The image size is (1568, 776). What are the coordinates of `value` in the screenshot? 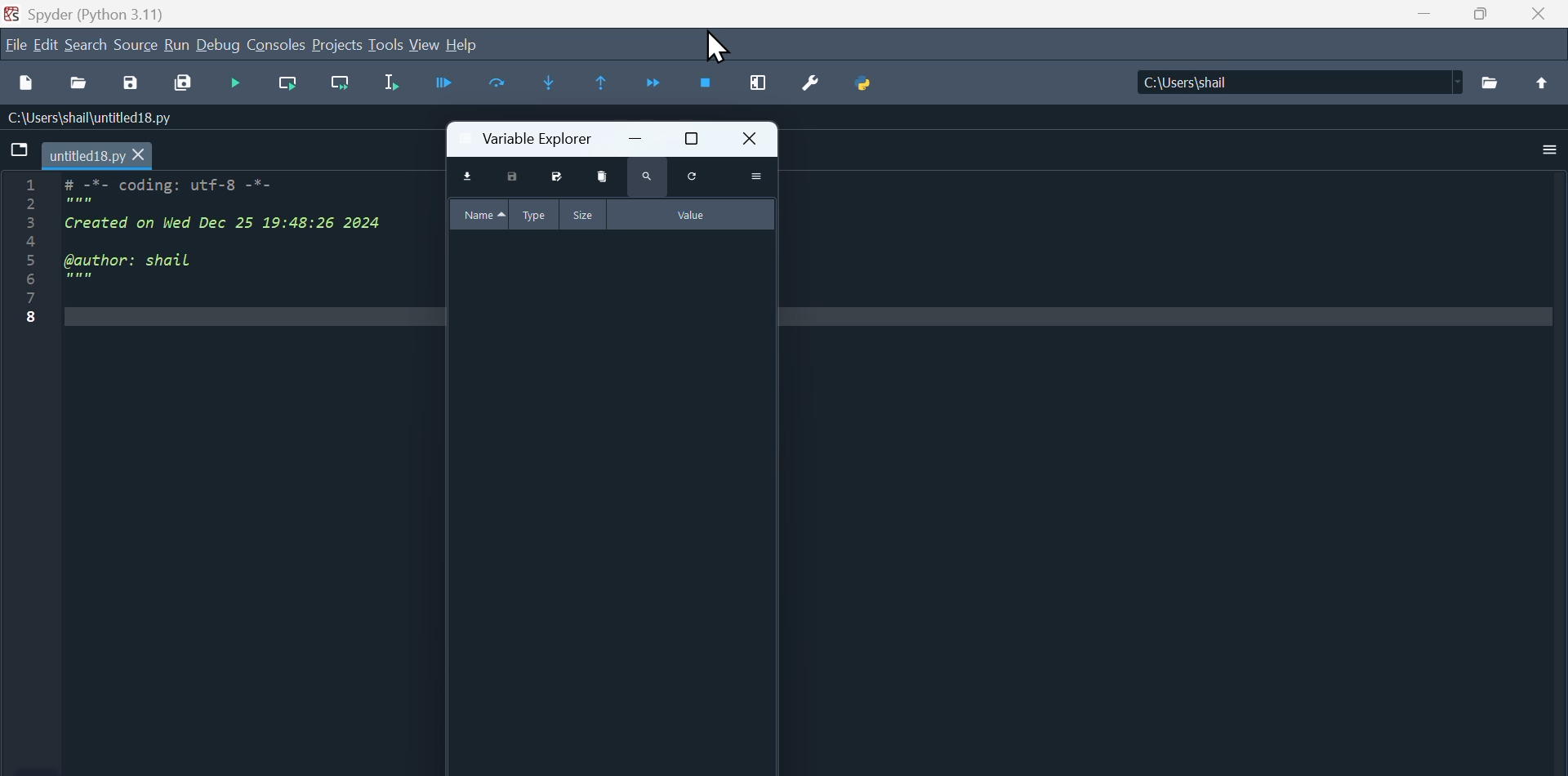 It's located at (692, 214).